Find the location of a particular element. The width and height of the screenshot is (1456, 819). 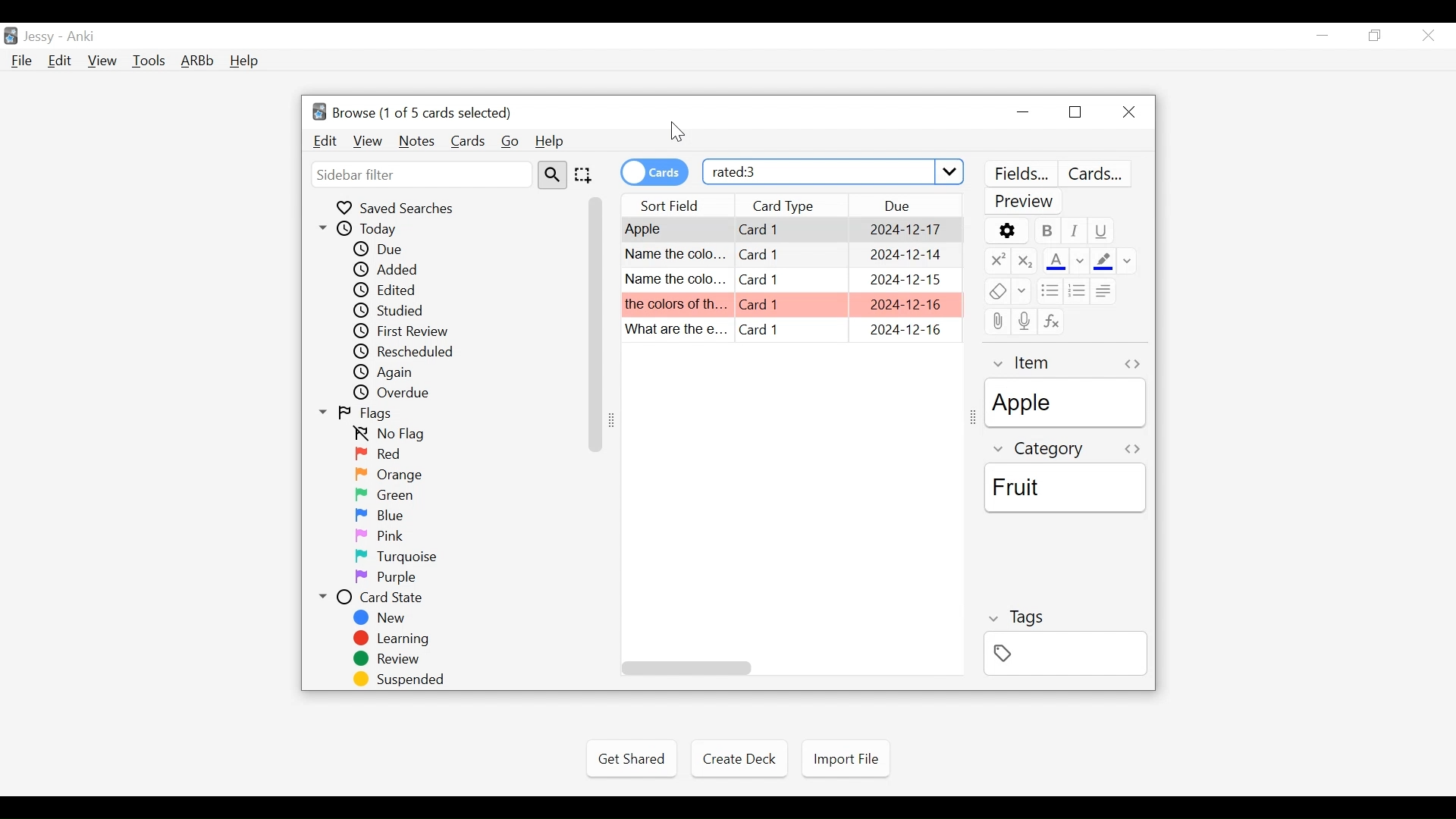

Green is located at coordinates (388, 495).